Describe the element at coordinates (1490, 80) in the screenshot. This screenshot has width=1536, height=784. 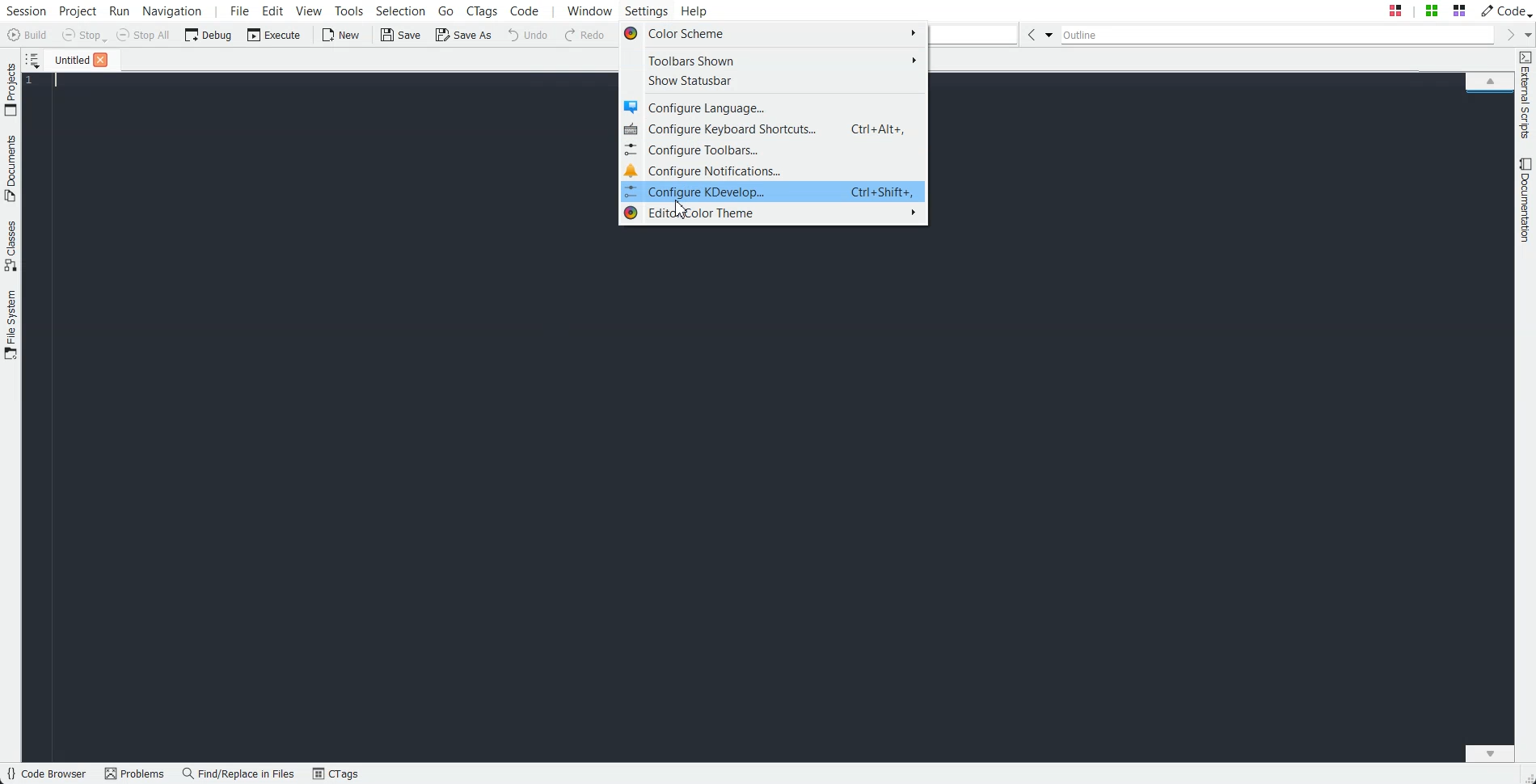
I see `Scroll up` at that location.